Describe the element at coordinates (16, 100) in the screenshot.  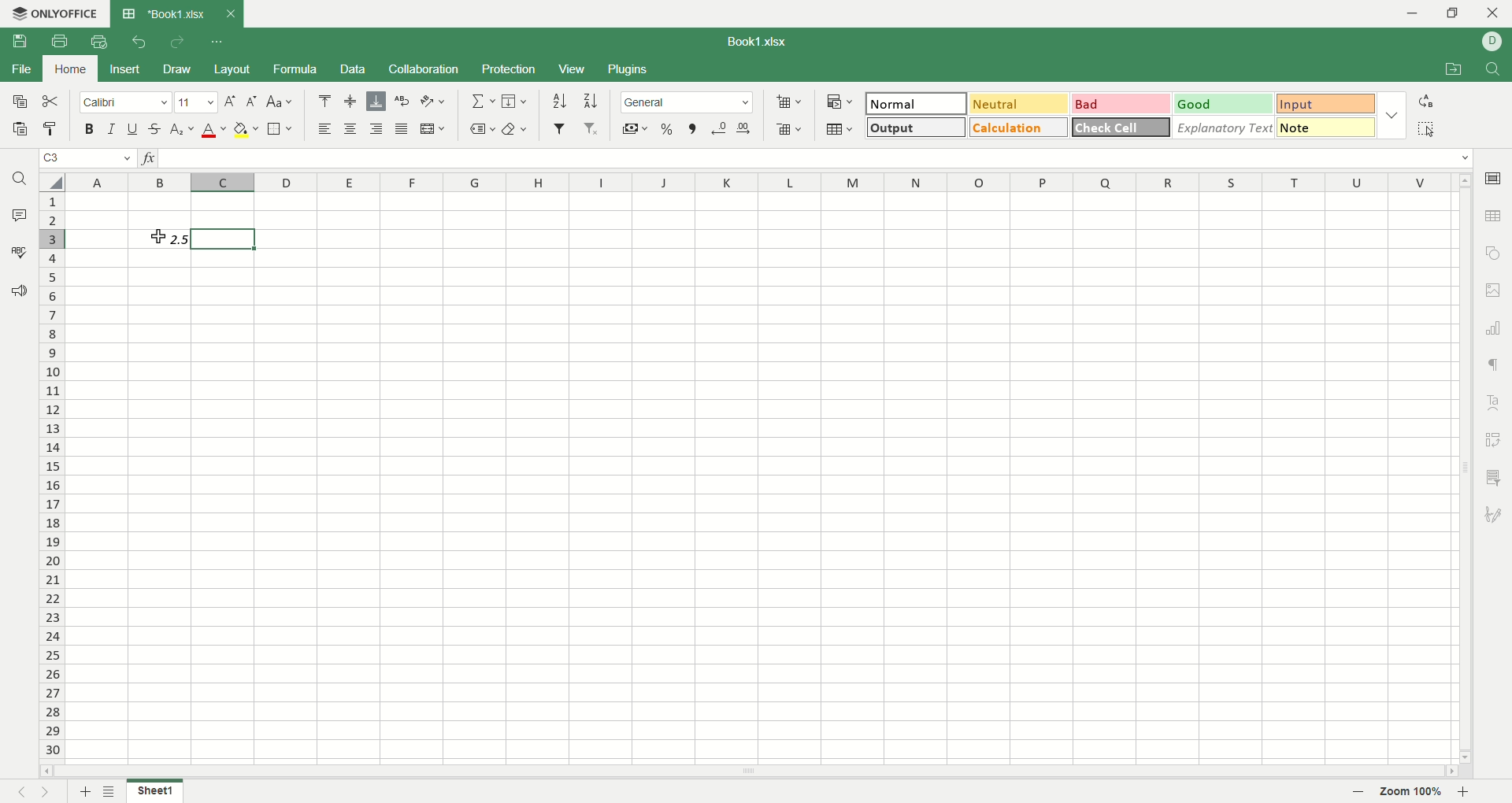
I see `copy` at that location.